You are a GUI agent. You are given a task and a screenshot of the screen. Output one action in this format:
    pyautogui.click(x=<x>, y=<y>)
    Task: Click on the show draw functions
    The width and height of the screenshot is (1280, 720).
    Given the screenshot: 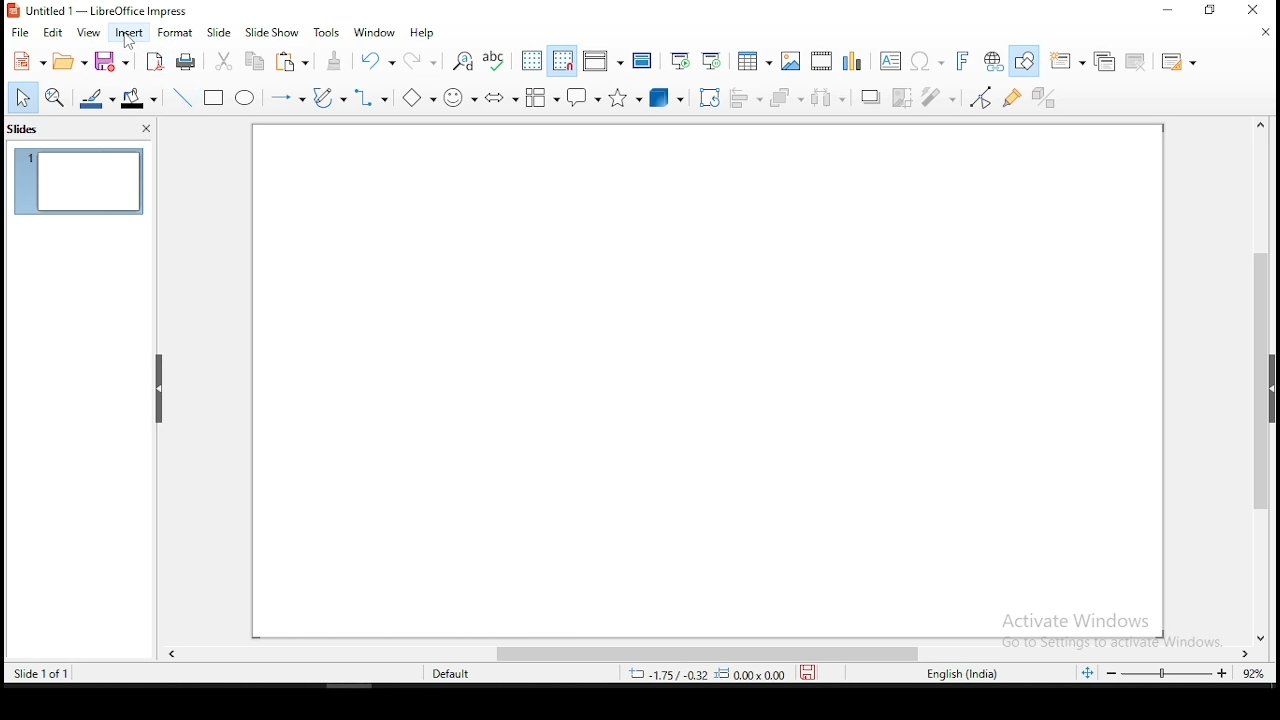 What is the action you would take?
    pyautogui.click(x=1027, y=62)
    